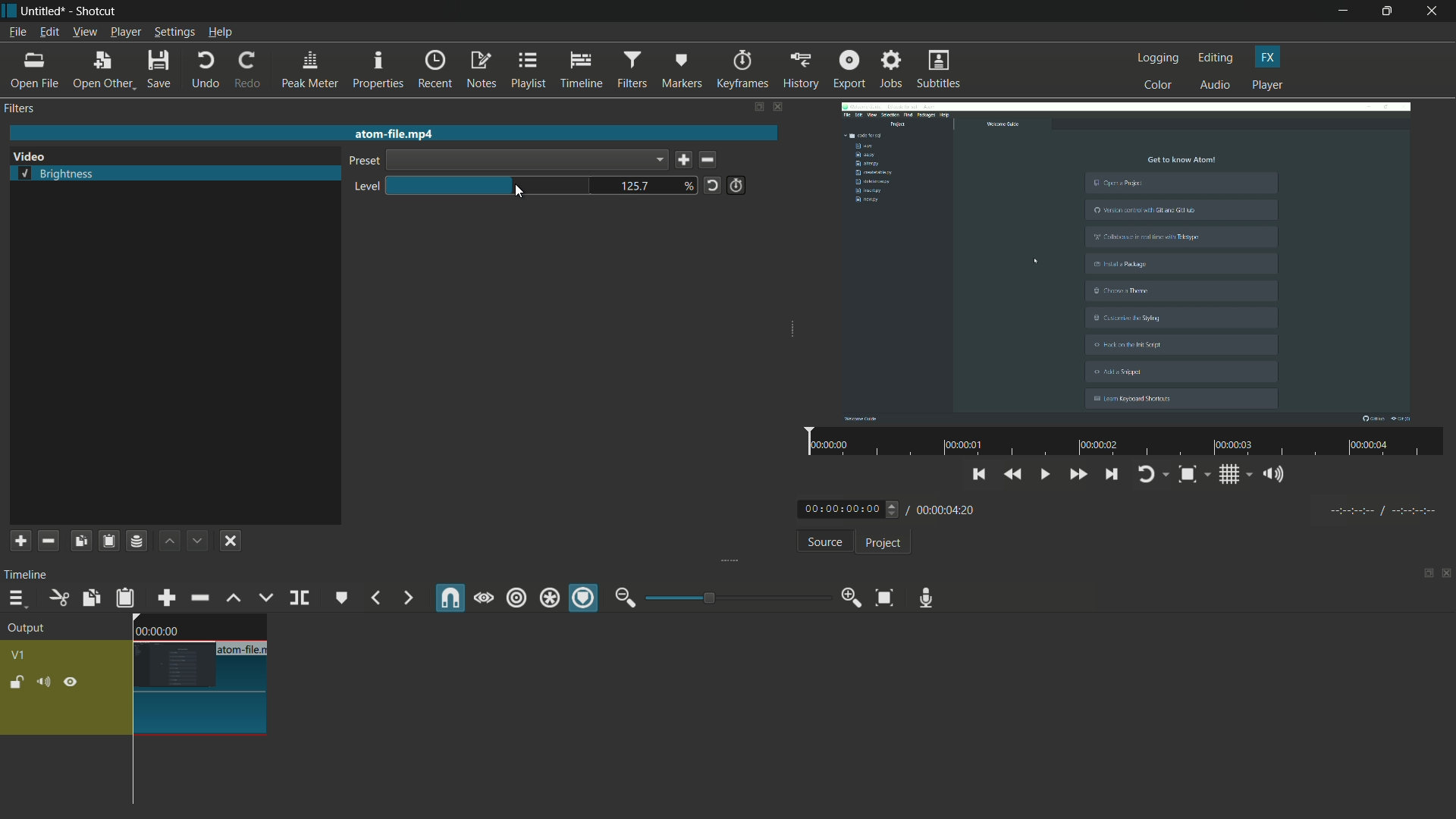  I want to click on view menu, so click(84, 32).